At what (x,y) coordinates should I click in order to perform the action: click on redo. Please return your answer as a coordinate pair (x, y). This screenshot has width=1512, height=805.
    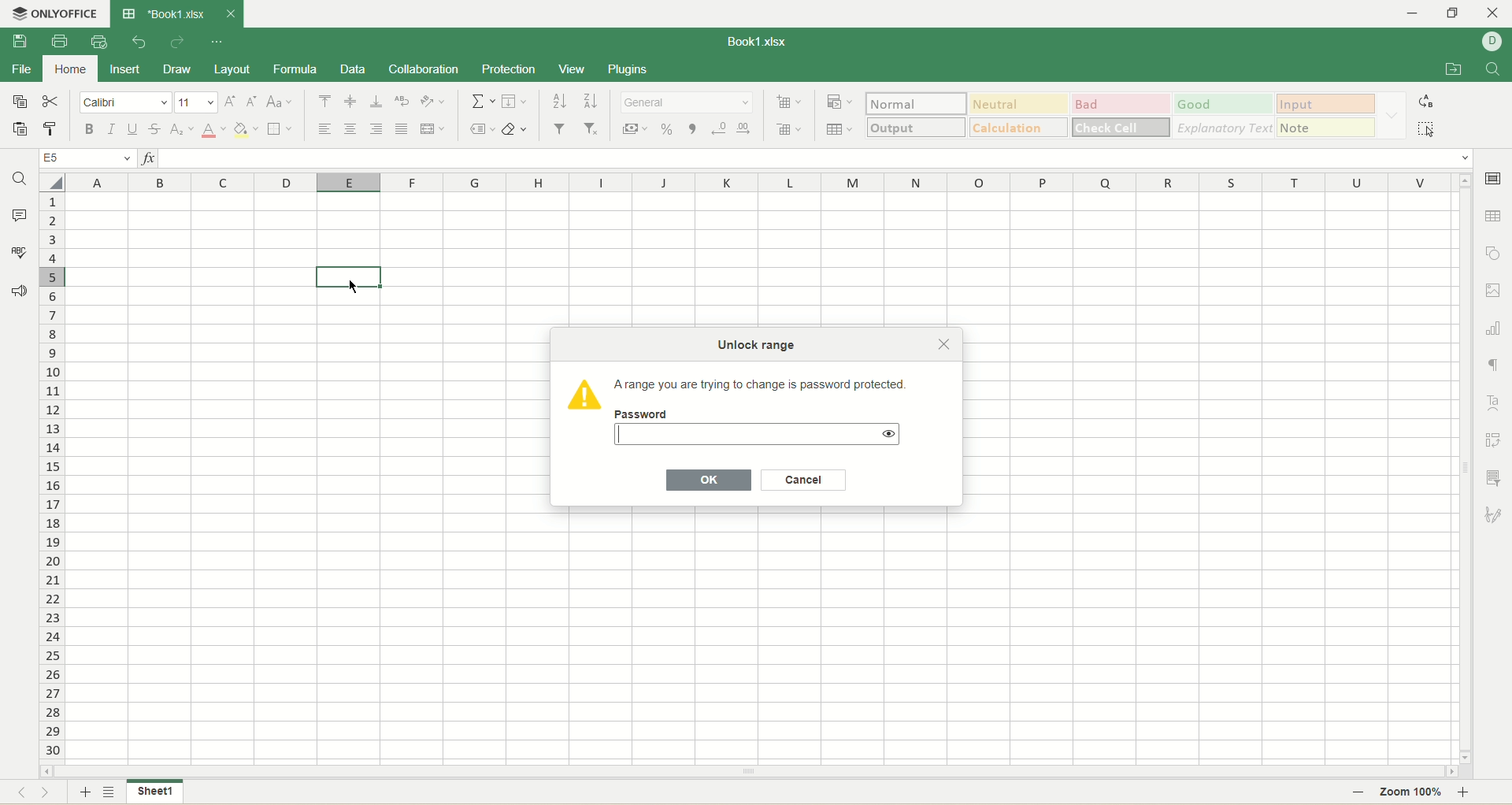
    Looking at the image, I should click on (182, 45).